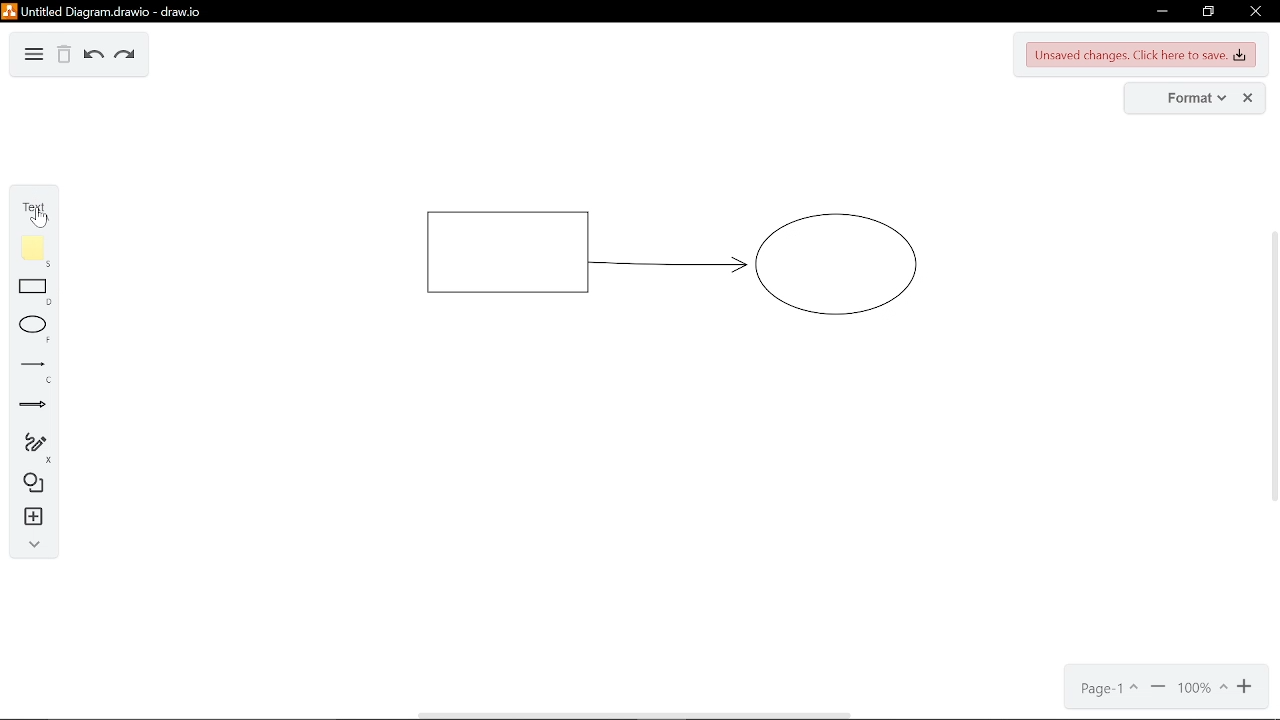 This screenshot has height=720, width=1280. What do you see at coordinates (34, 371) in the screenshot?
I see `lines` at bounding box center [34, 371].